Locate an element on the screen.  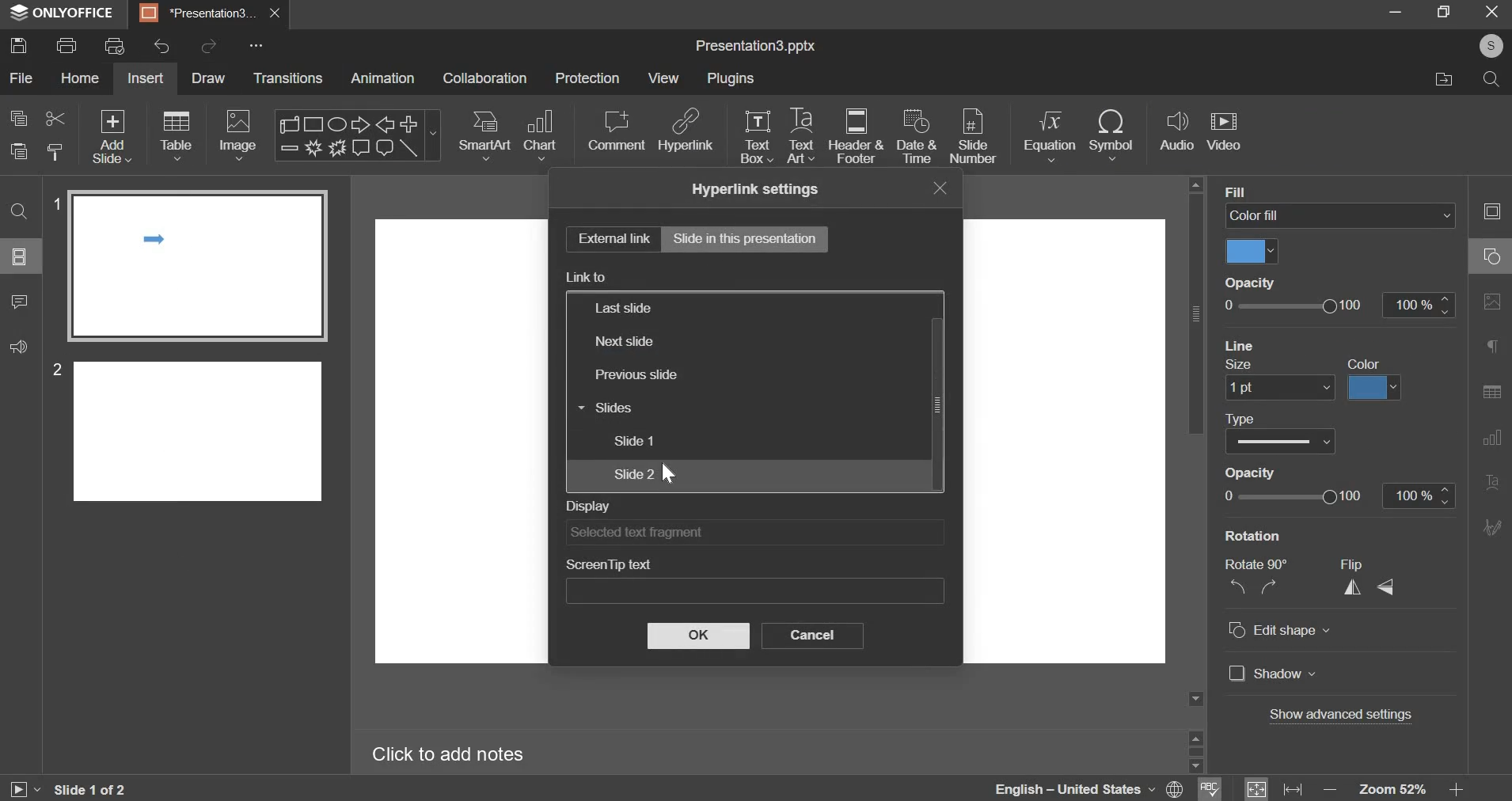
rounded rectangular callout is located at coordinates (384, 150).